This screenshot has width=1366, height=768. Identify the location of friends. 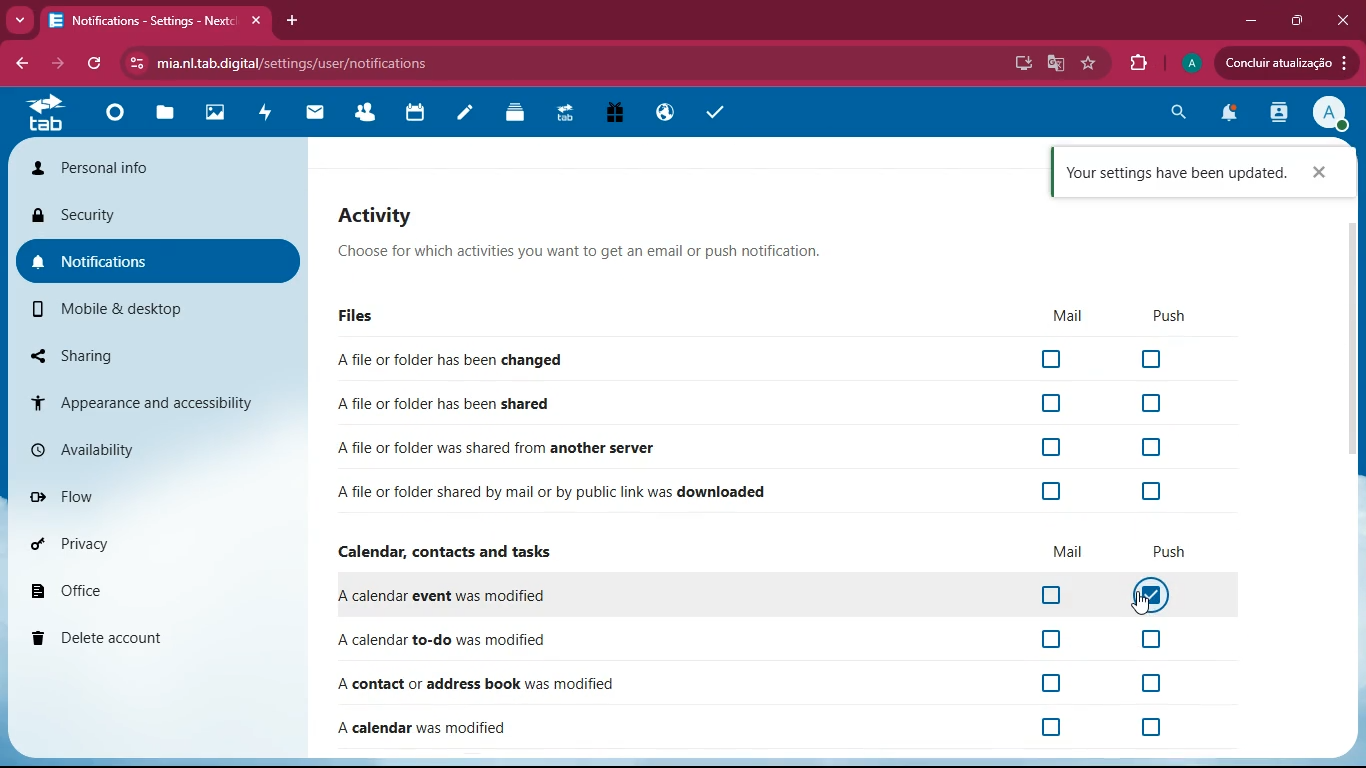
(366, 109).